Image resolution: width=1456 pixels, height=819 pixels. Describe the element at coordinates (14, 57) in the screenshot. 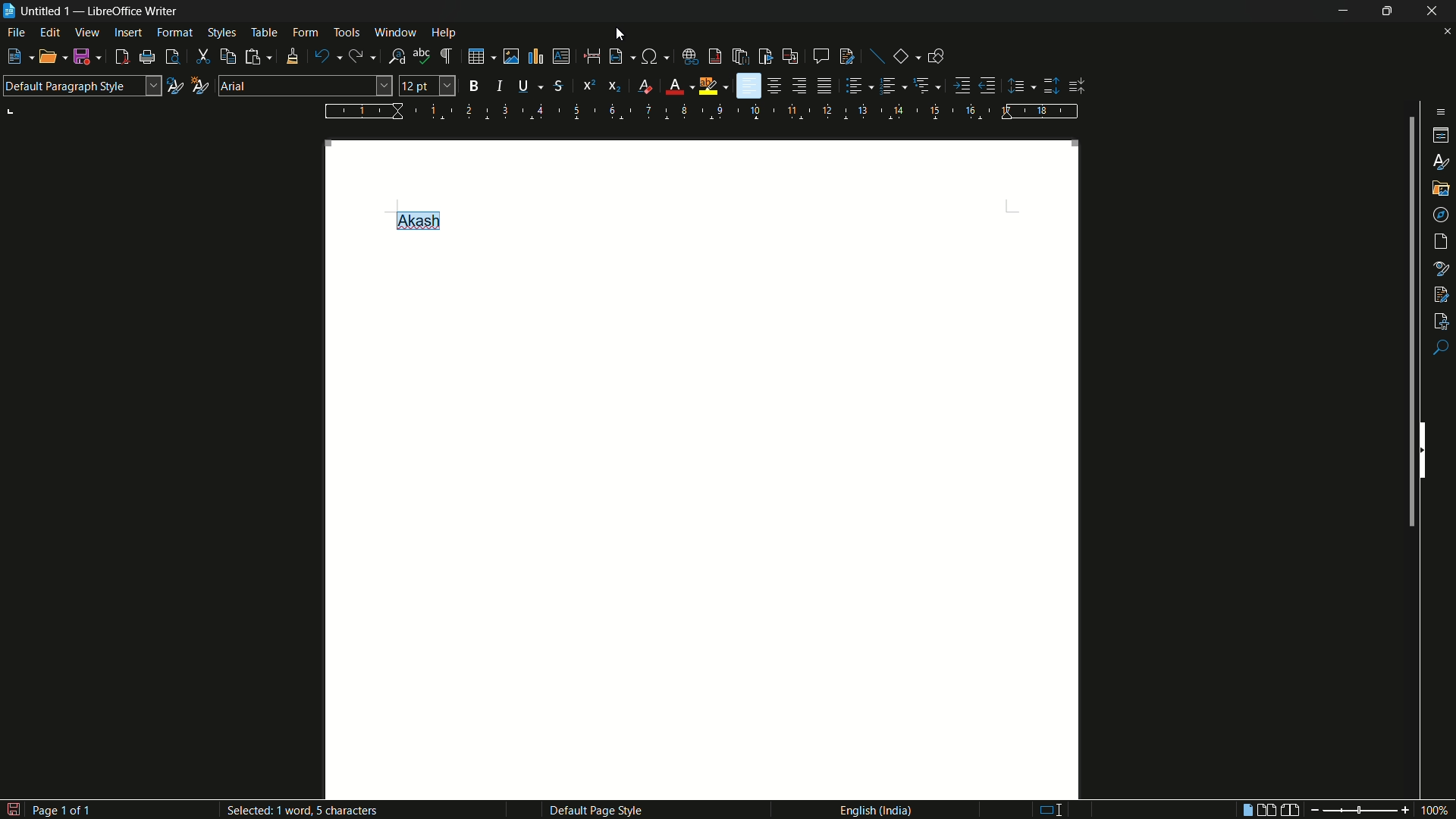

I see `new file` at that location.